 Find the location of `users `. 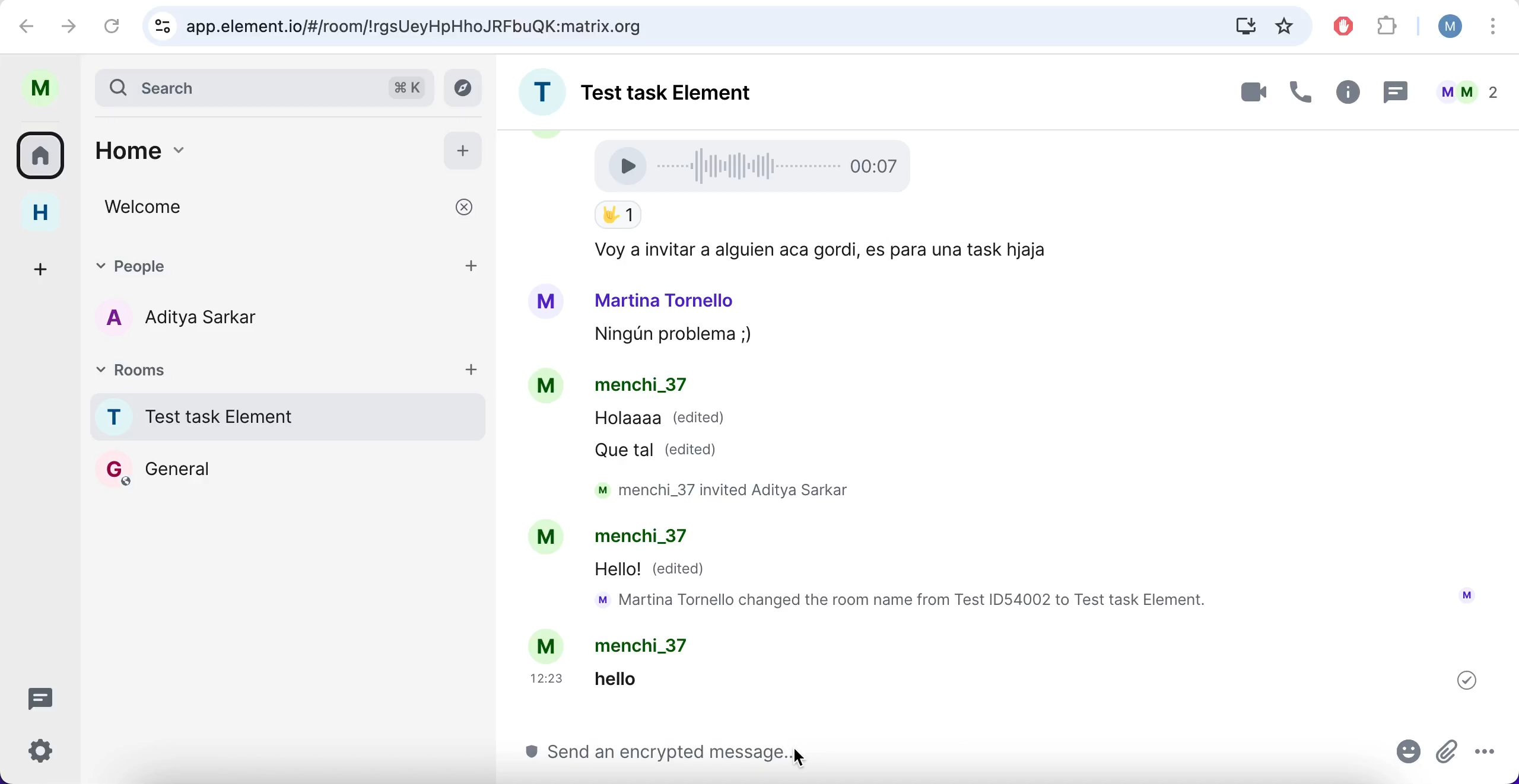

users  is located at coordinates (198, 320).